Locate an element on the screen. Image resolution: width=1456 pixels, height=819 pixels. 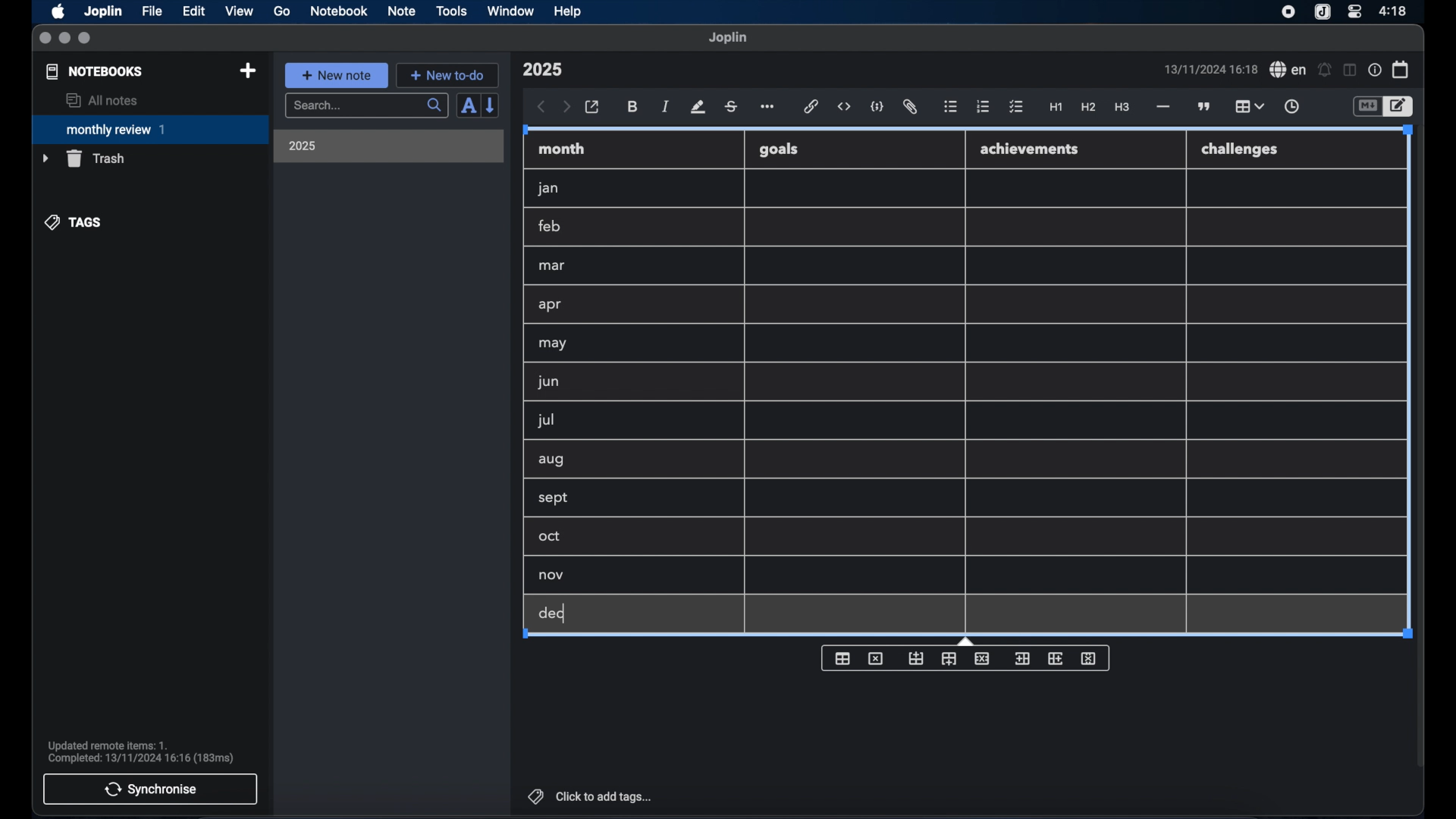
minimize is located at coordinates (64, 39).